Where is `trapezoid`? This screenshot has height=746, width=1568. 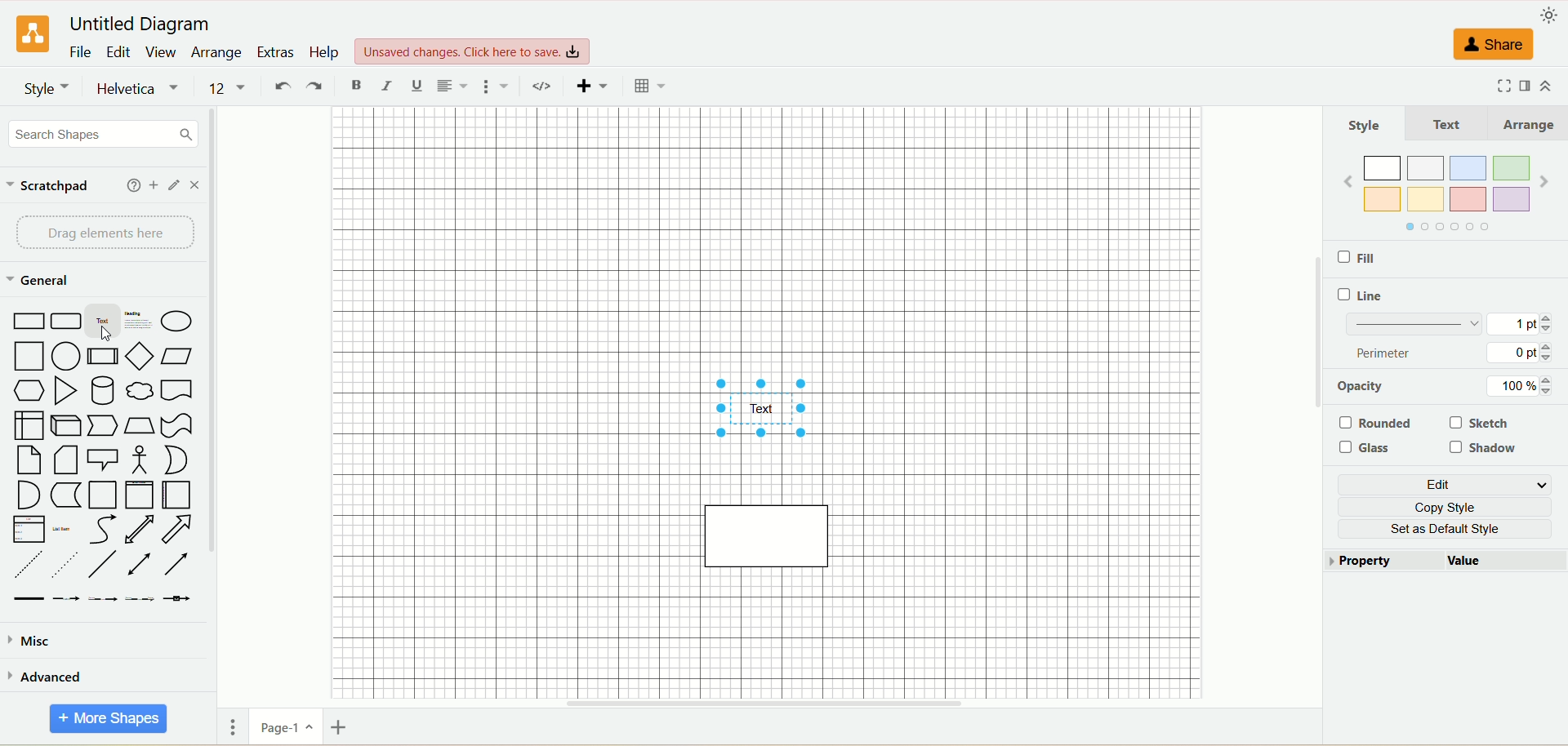 trapezoid is located at coordinates (138, 425).